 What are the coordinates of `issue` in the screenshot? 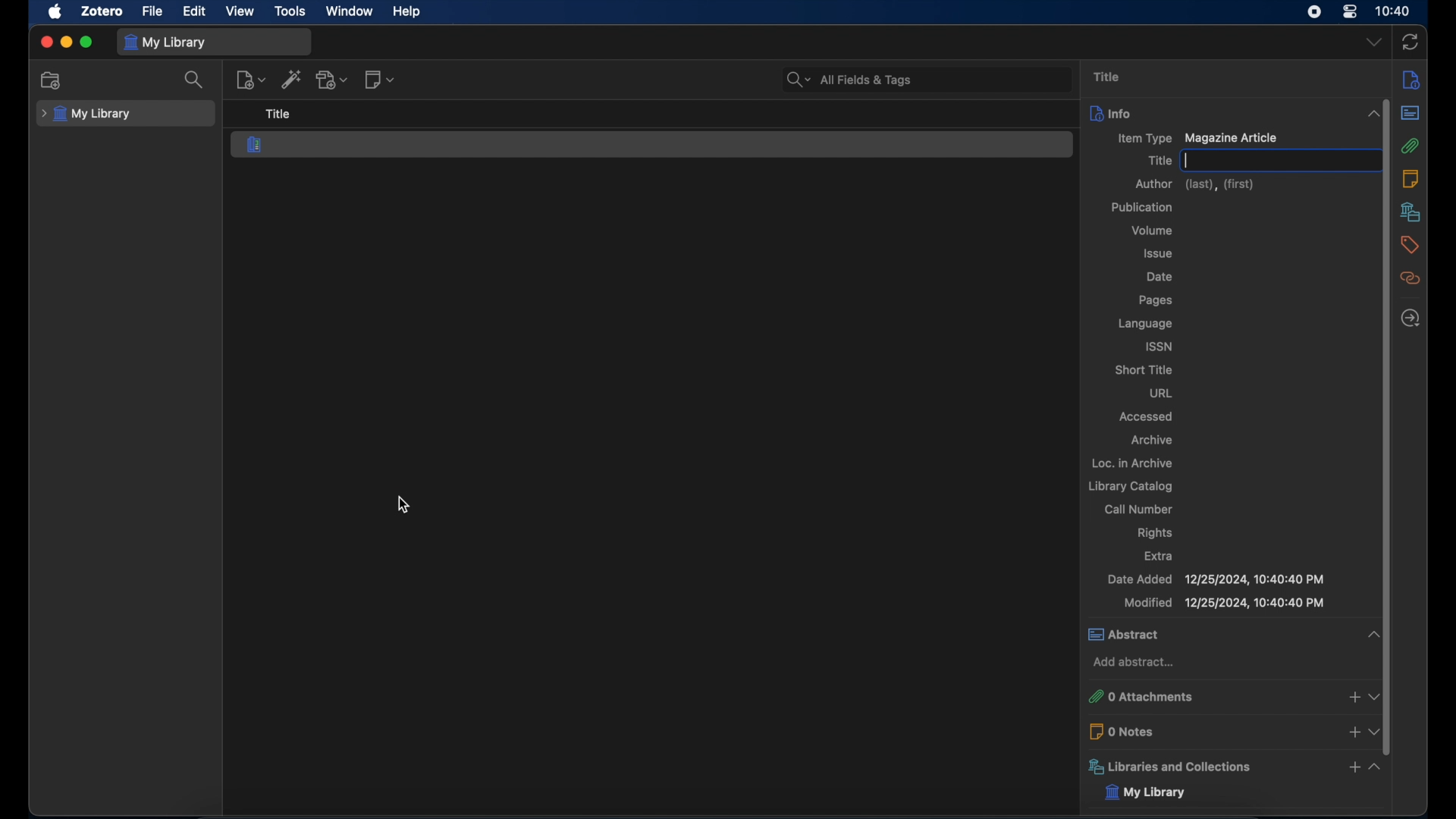 It's located at (1159, 254).